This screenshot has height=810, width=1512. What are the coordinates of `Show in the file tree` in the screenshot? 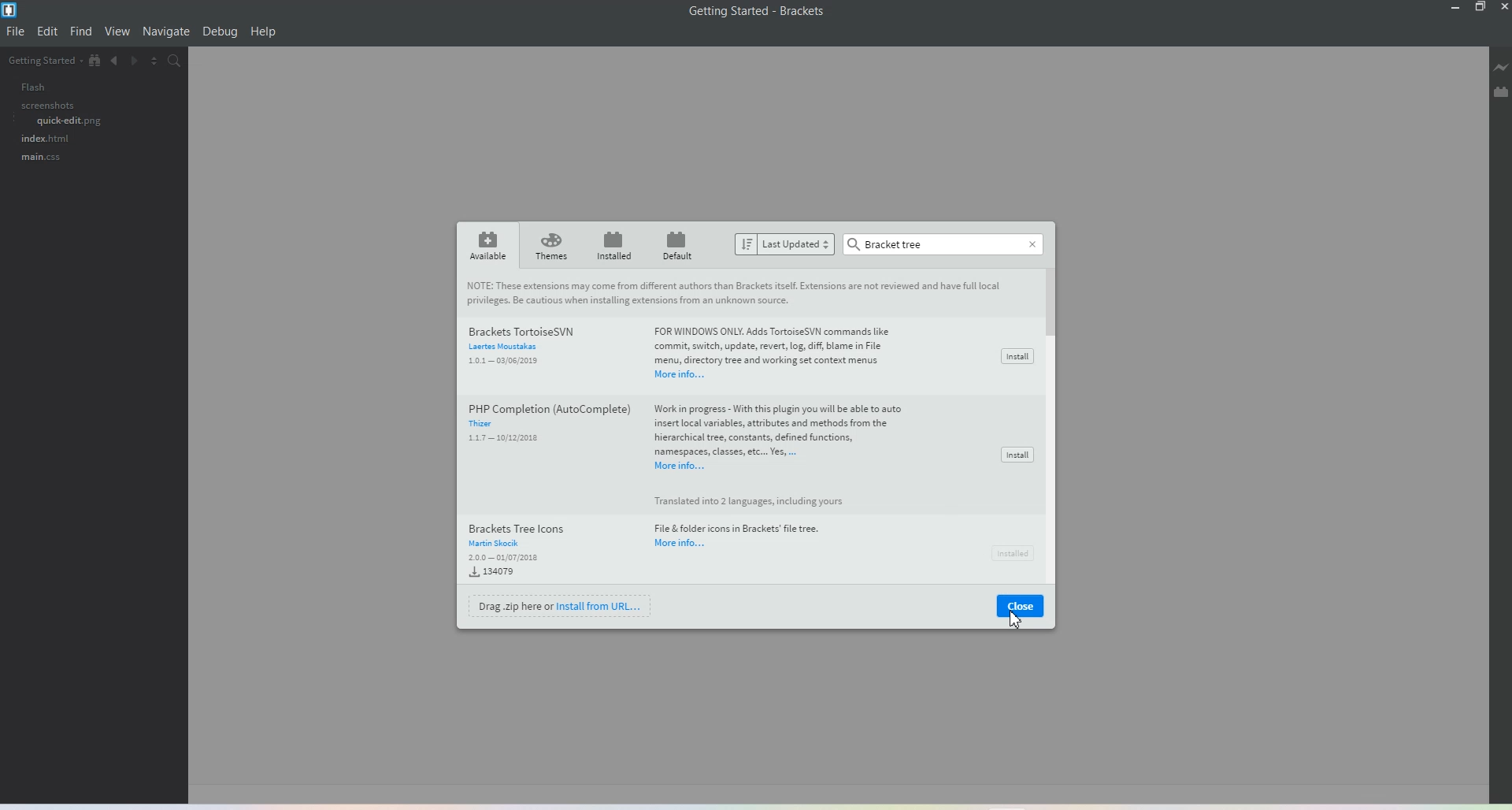 It's located at (95, 61).